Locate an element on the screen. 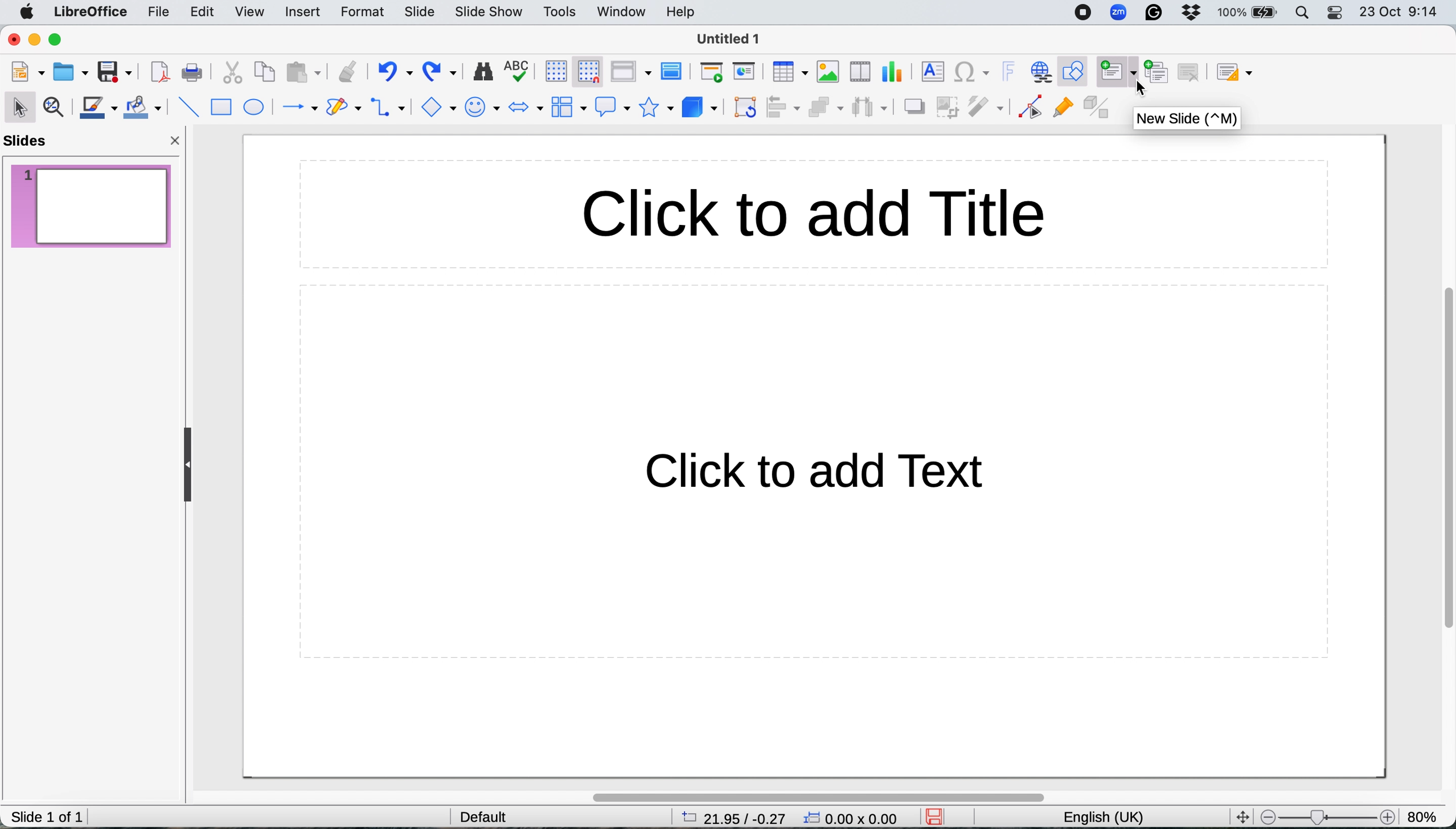 The width and height of the screenshot is (1456, 829). select three objects to distribute is located at coordinates (870, 107).